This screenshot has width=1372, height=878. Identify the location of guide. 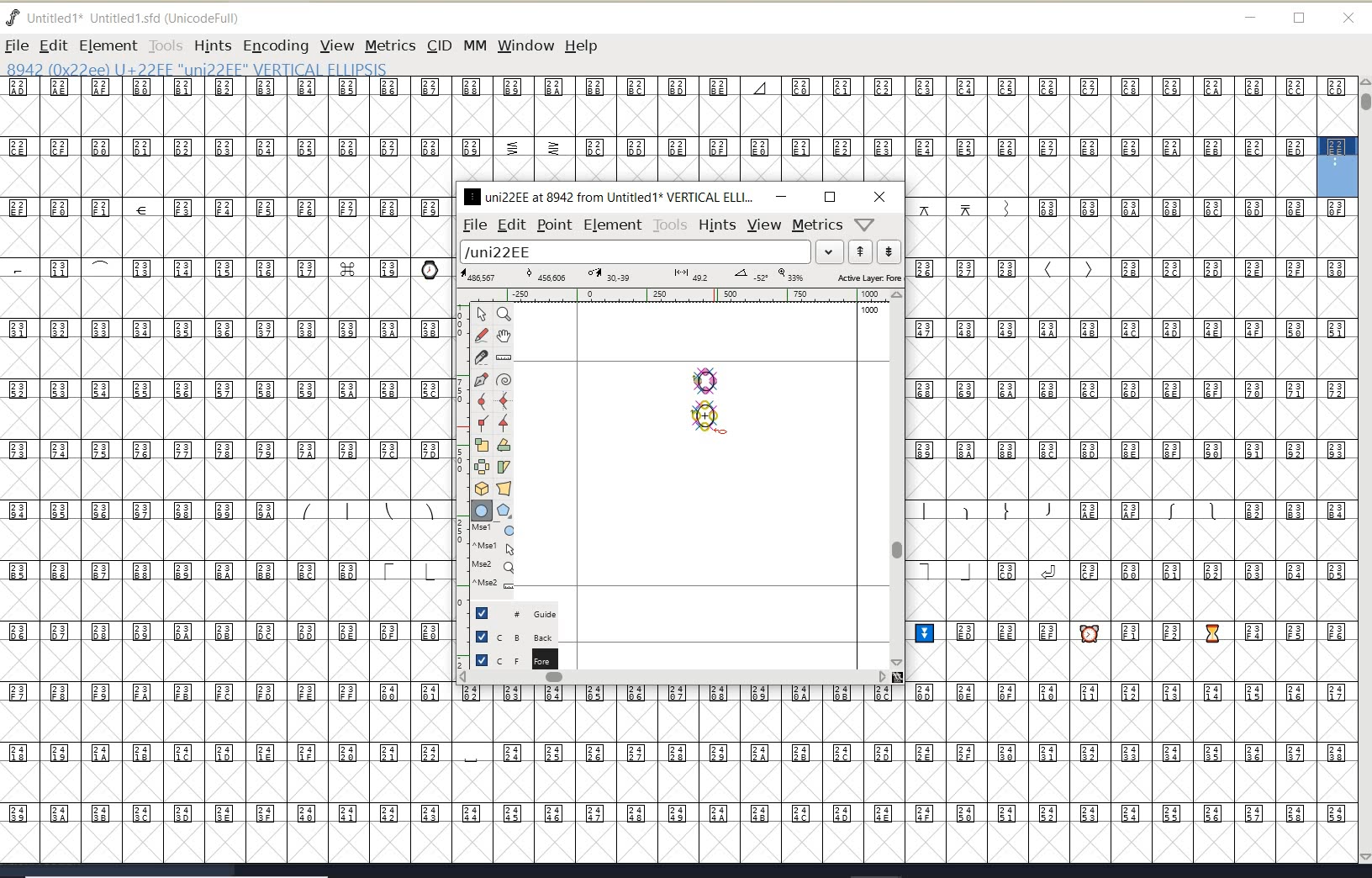
(522, 611).